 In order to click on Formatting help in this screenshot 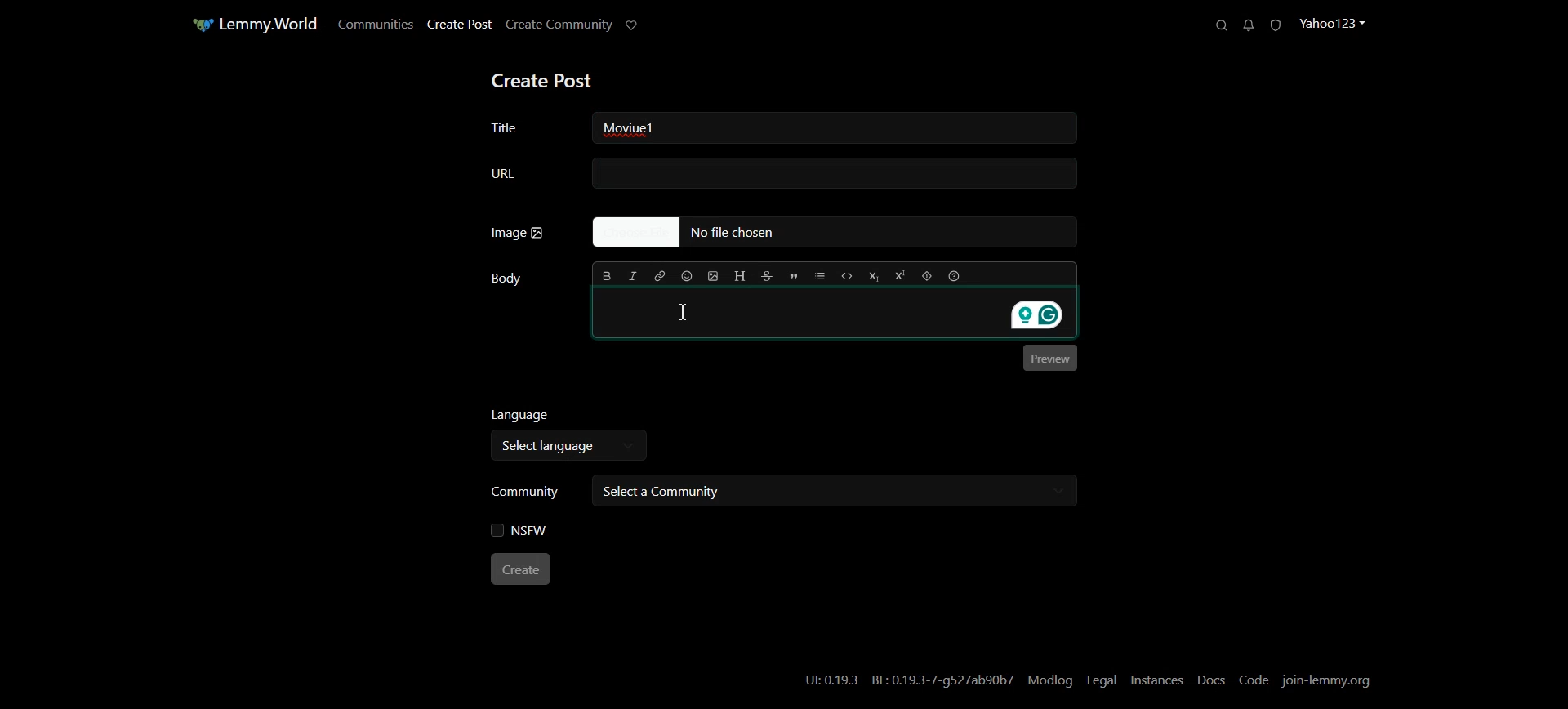, I will do `click(954, 275)`.